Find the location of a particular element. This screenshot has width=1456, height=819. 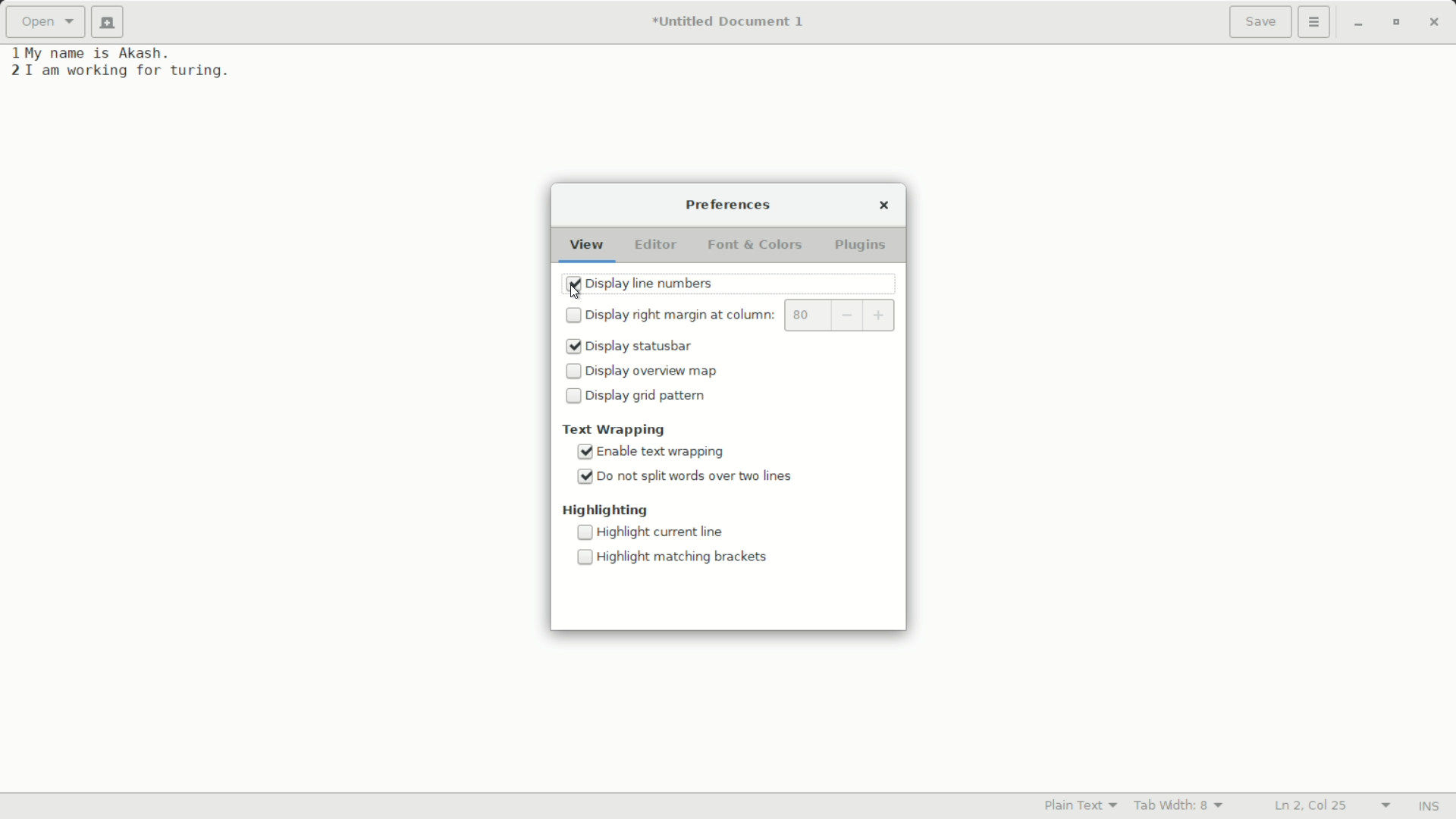

checkbox is located at coordinates (585, 532).